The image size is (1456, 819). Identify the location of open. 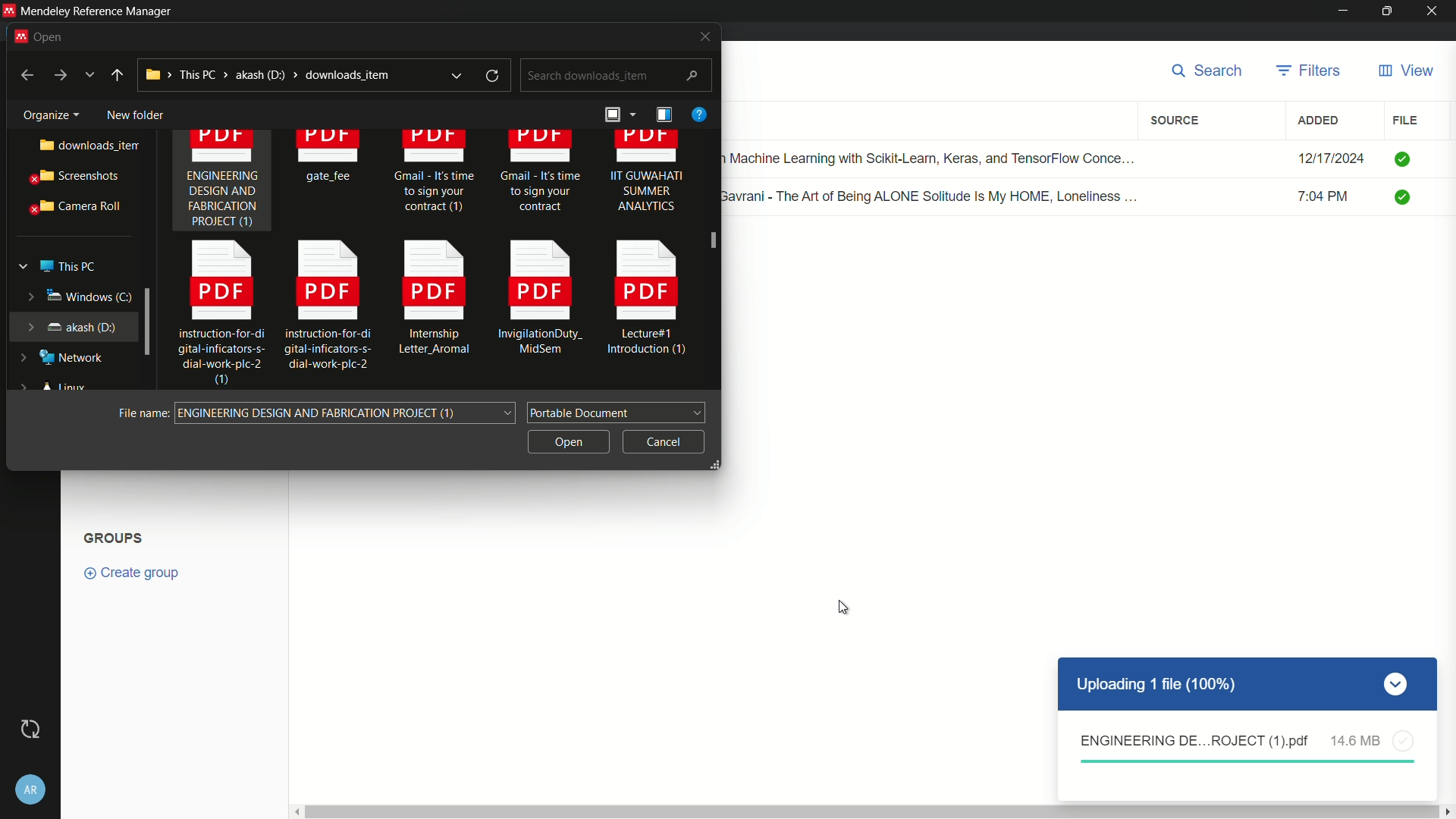
(46, 35).